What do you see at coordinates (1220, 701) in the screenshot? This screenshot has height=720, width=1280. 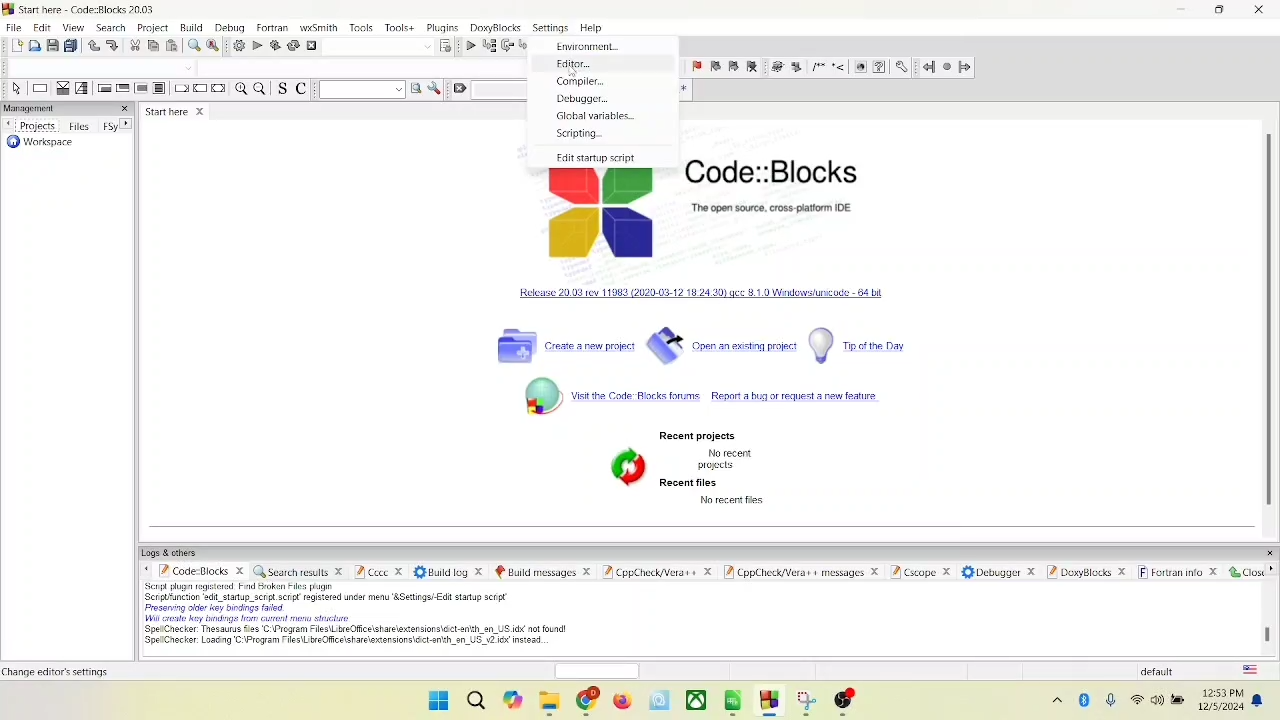 I see `time and date` at bounding box center [1220, 701].